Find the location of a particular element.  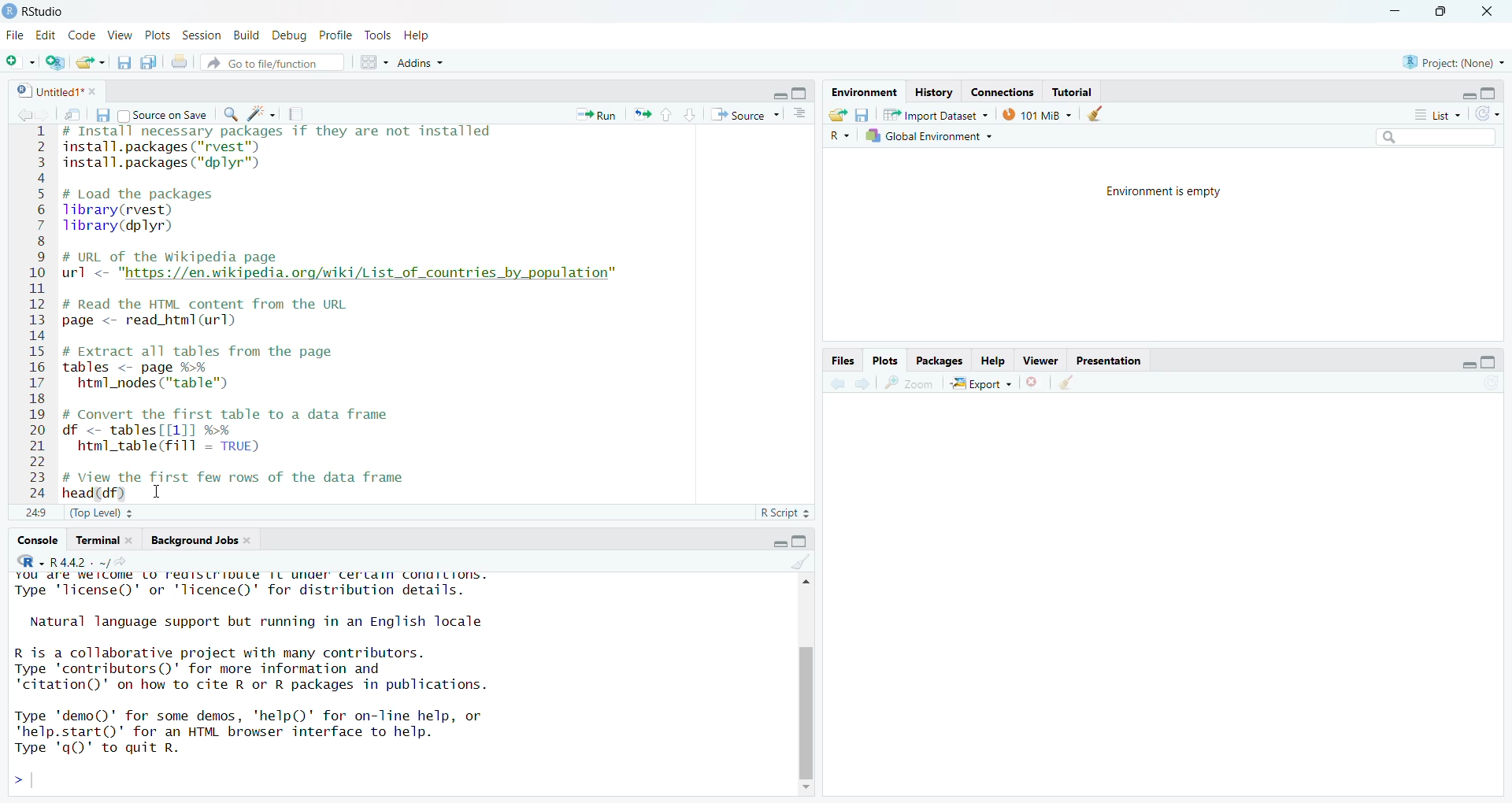

back is located at coordinates (839, 383).